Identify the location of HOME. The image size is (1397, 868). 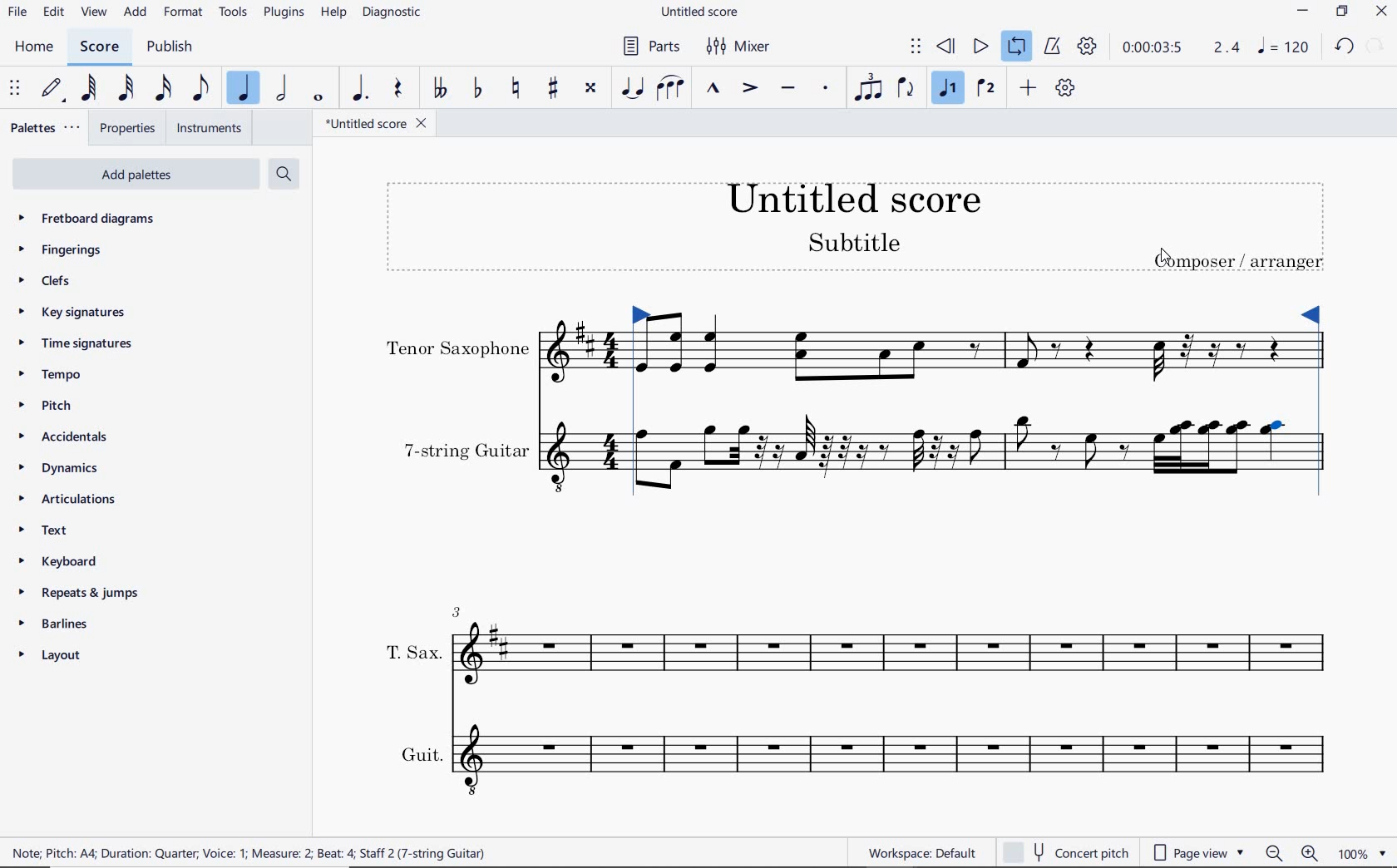
(32, 47).